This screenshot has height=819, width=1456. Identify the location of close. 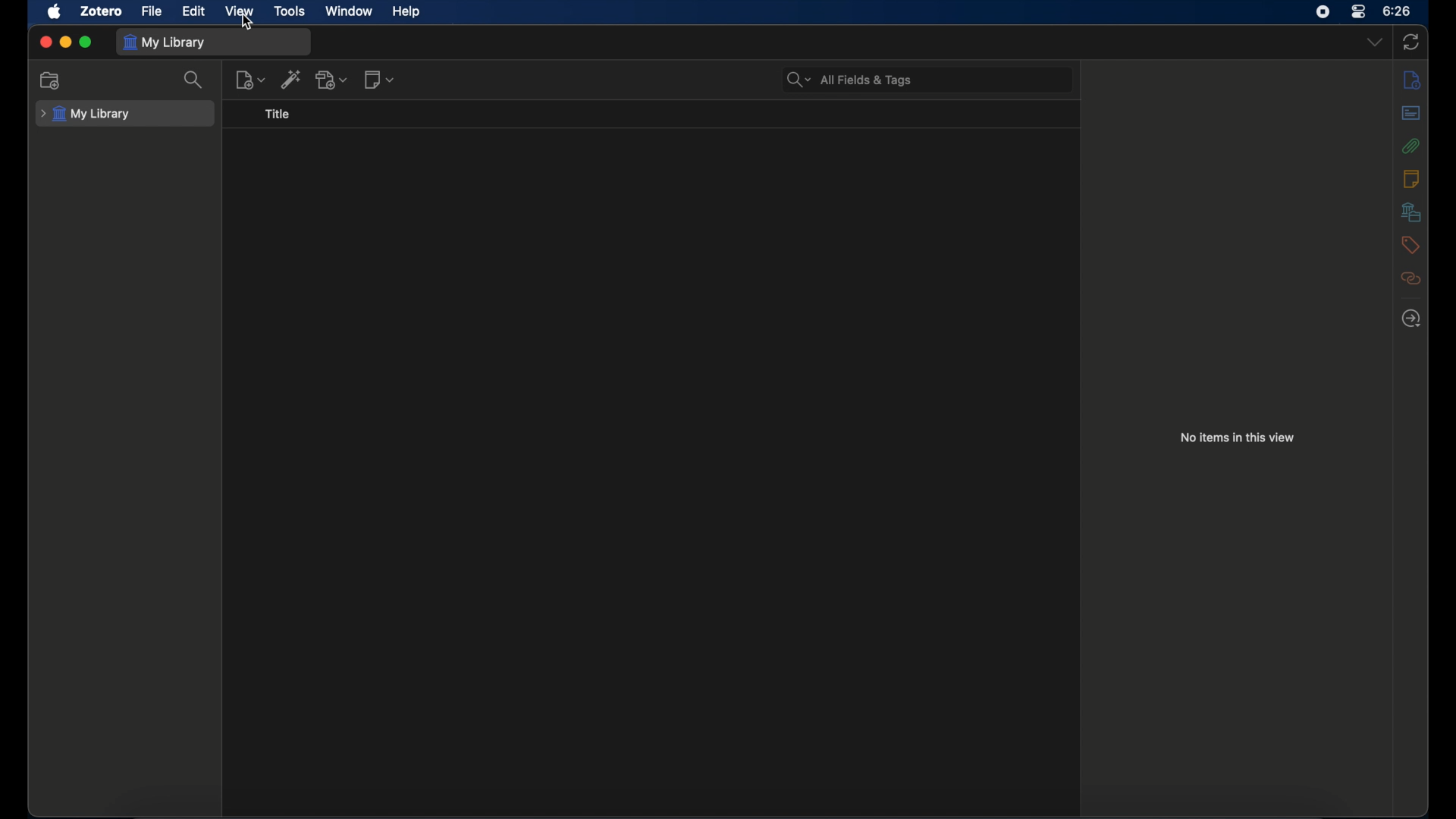
(46, 40).